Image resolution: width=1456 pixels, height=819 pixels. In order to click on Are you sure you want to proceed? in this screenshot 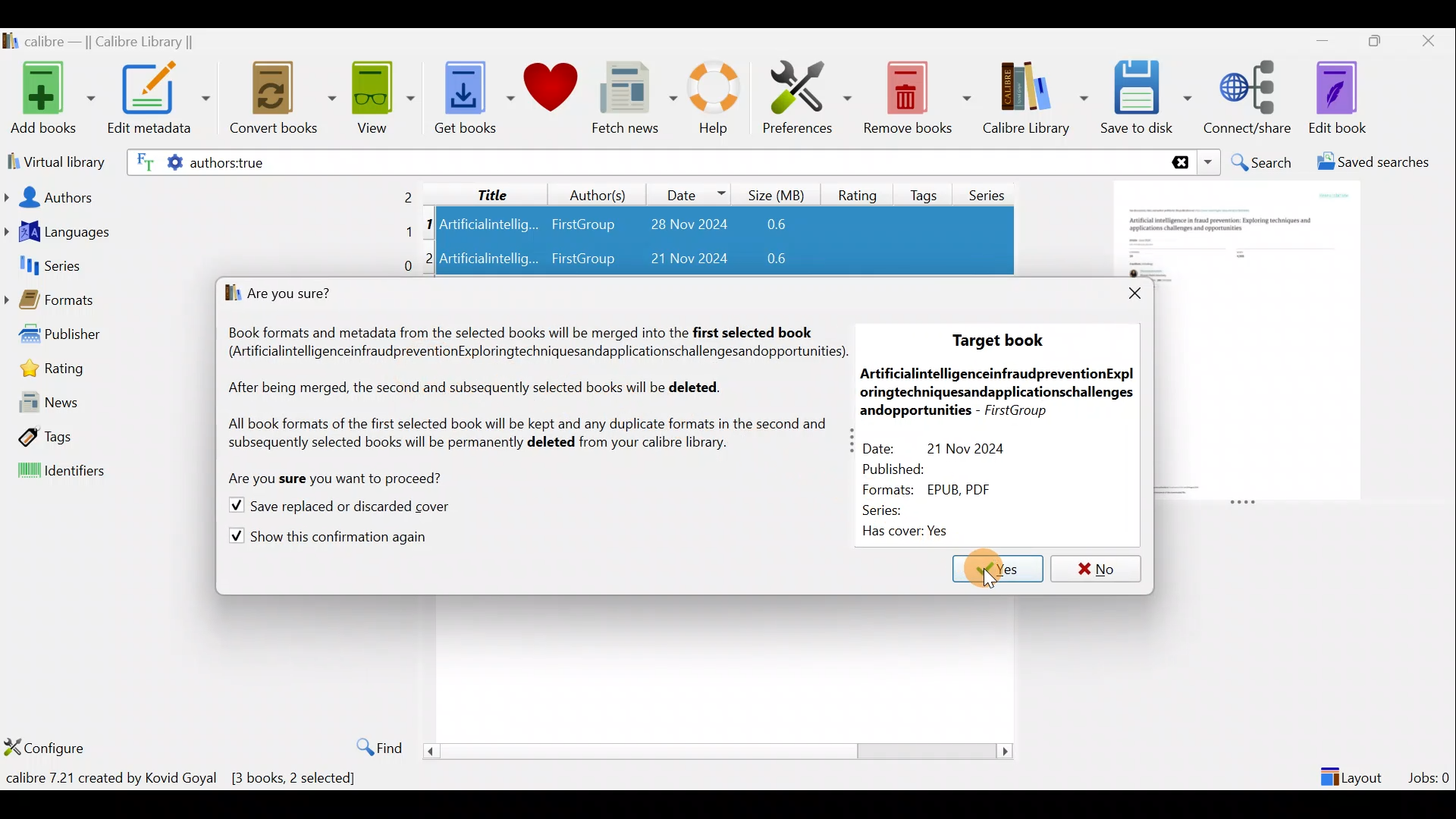, I will do `click(331, 479)`.